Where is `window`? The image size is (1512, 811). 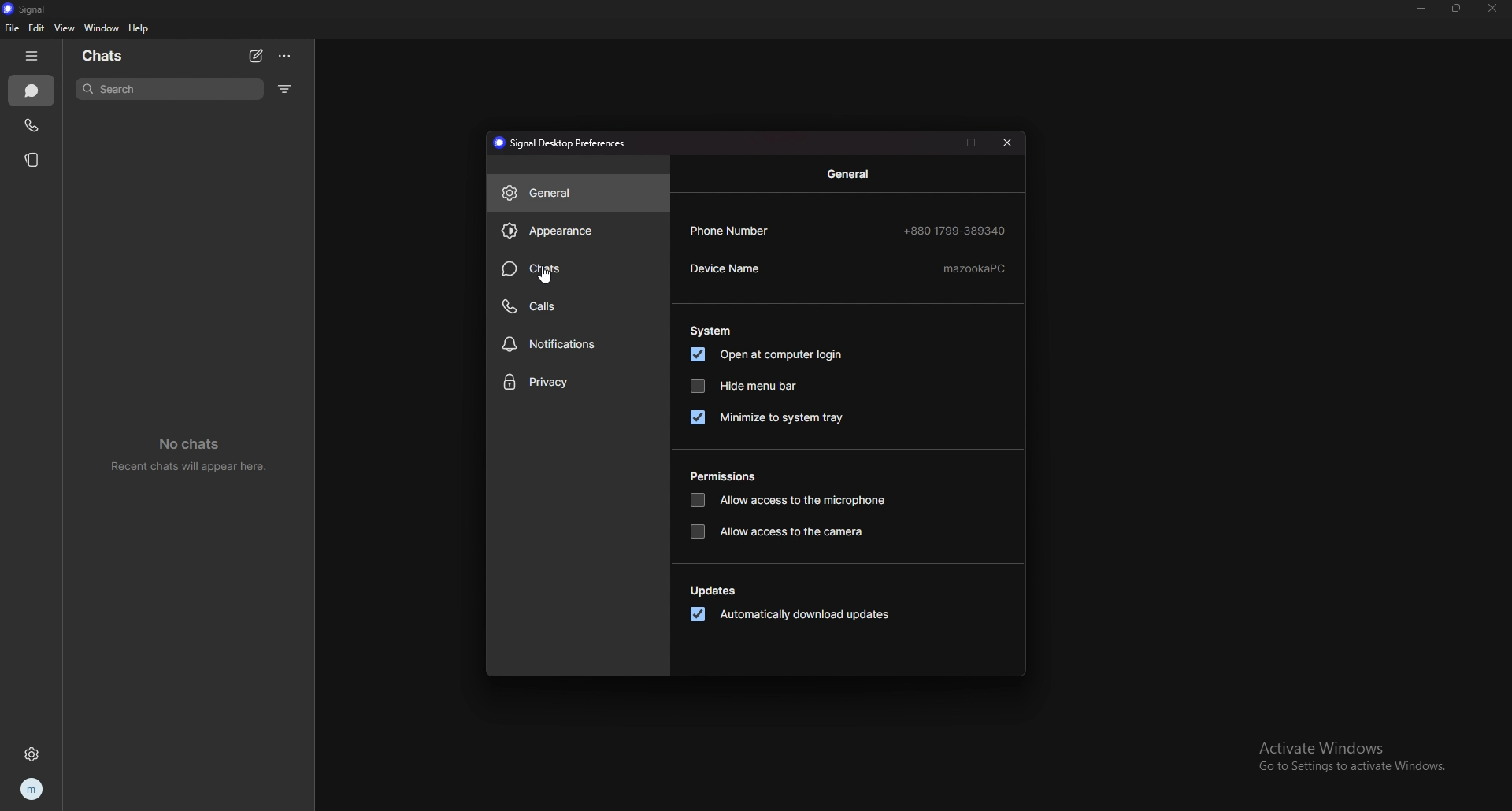 window is located at coordinates (102, 28).